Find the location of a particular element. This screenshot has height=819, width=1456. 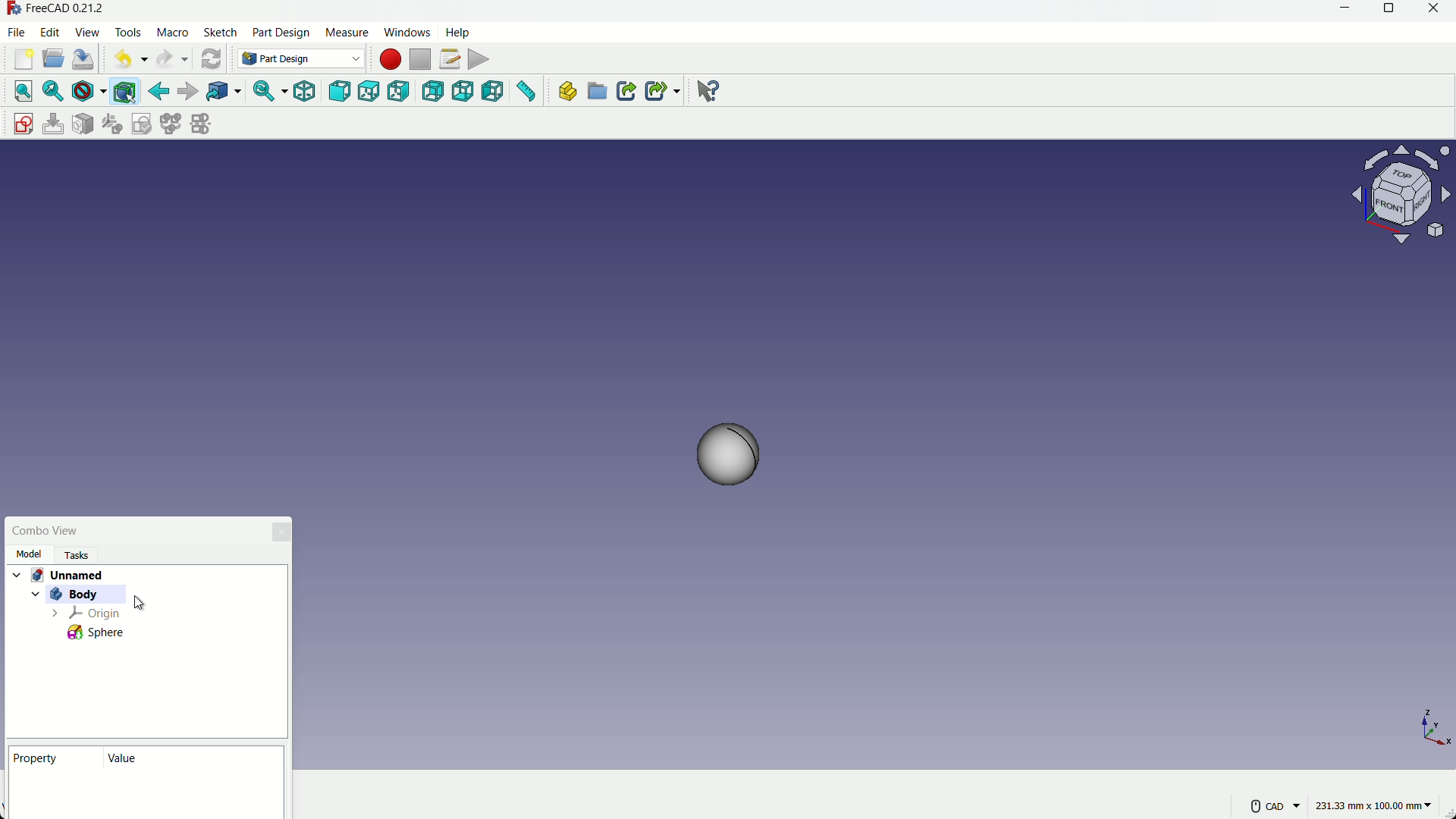

create part is located at coordinates (566, 91).